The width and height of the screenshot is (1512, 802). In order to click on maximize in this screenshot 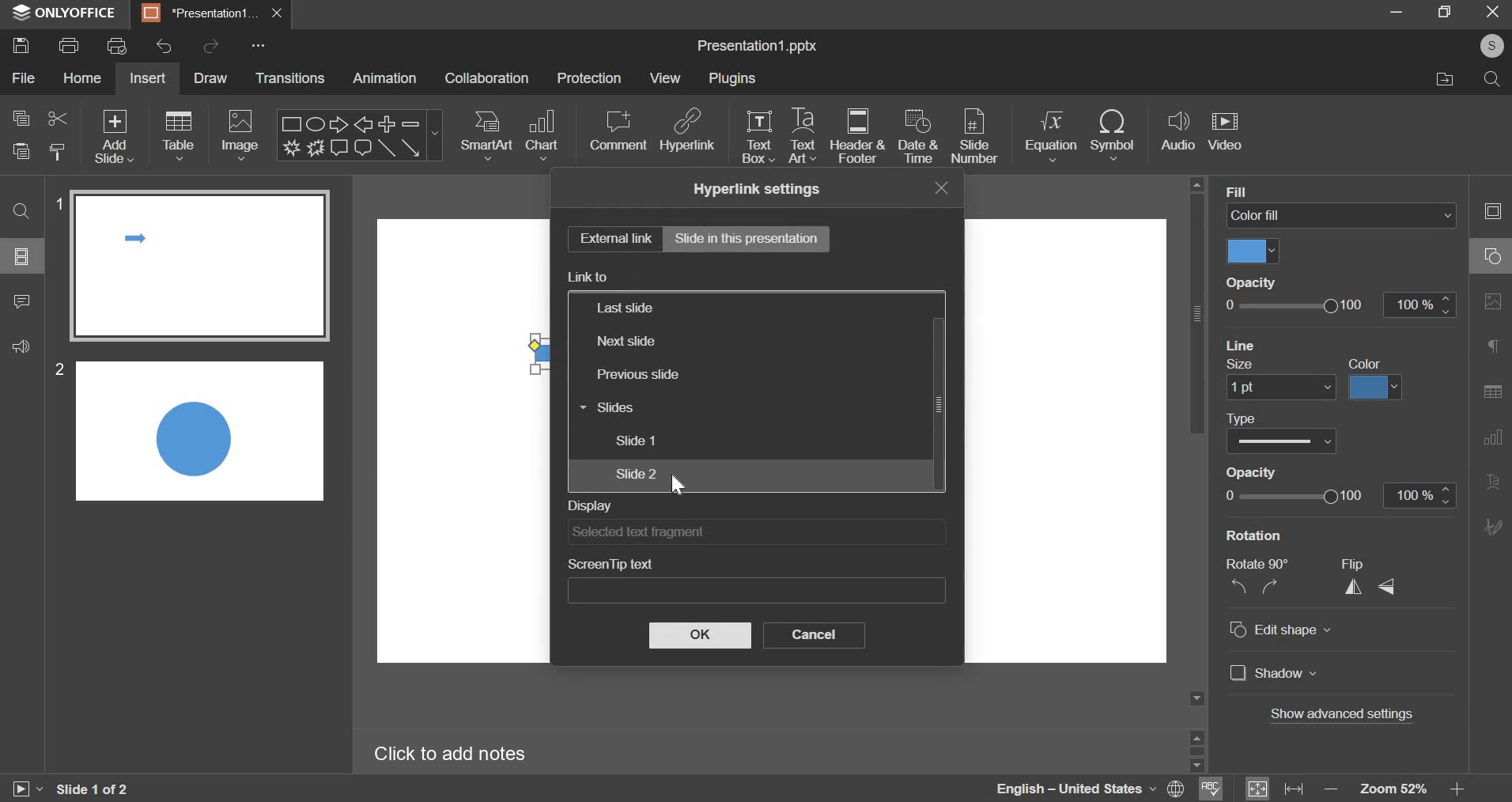, I will do `click(1445, 11)`.